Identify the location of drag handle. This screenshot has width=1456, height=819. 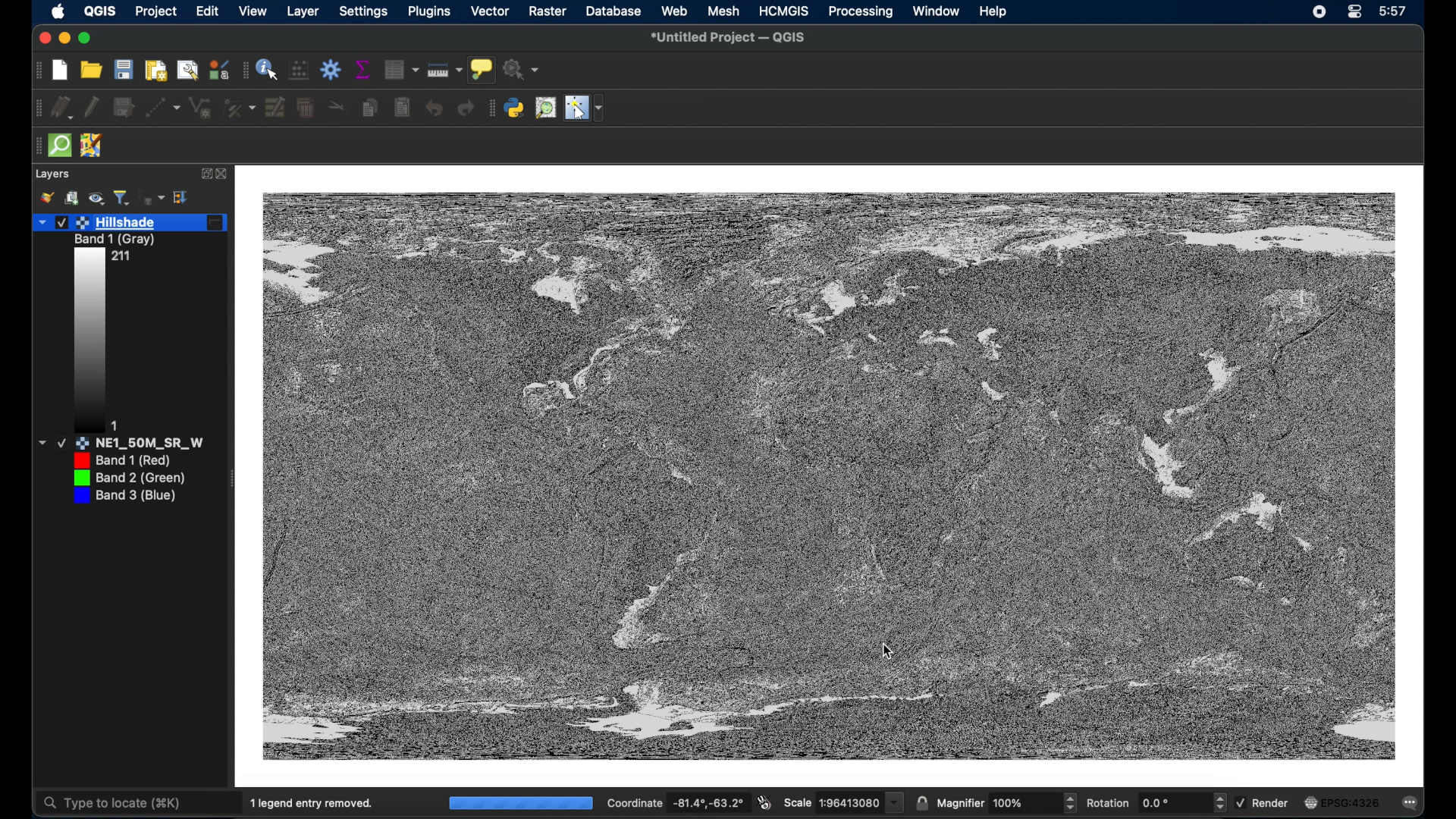
(36, 108).